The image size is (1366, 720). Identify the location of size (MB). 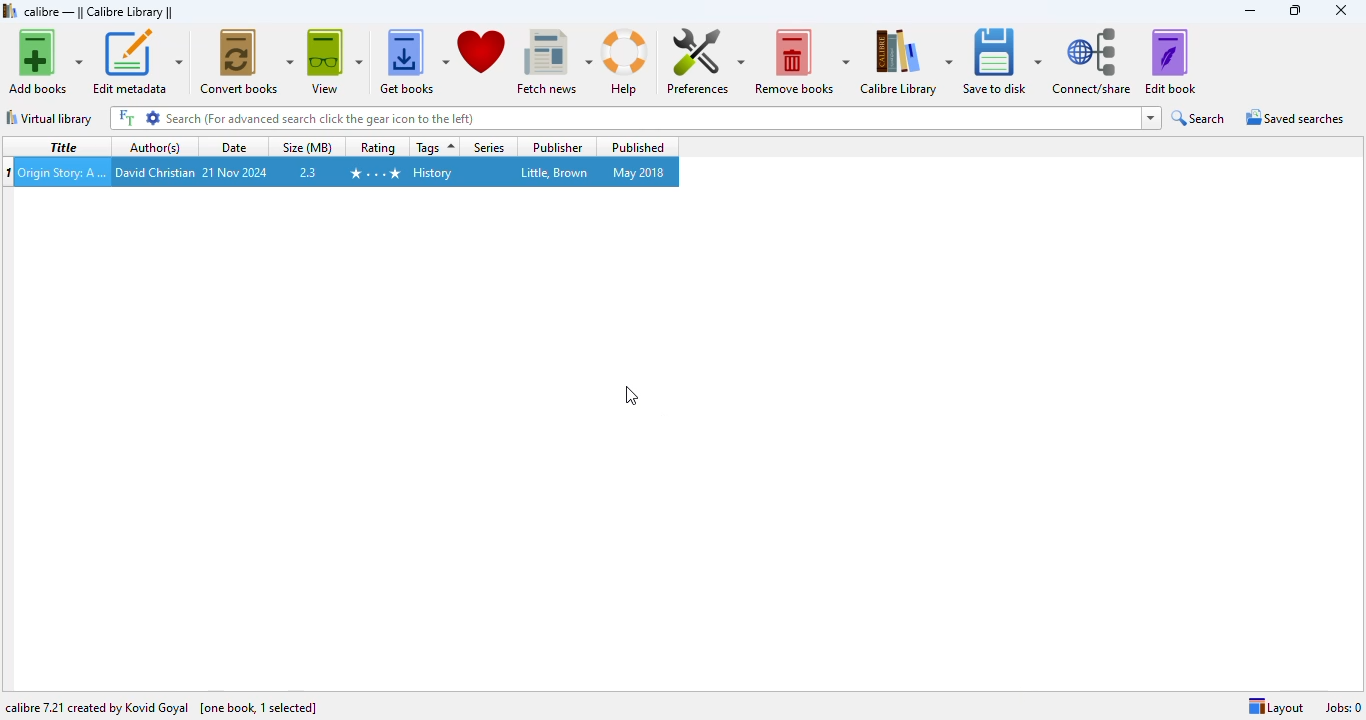
(309, 148).